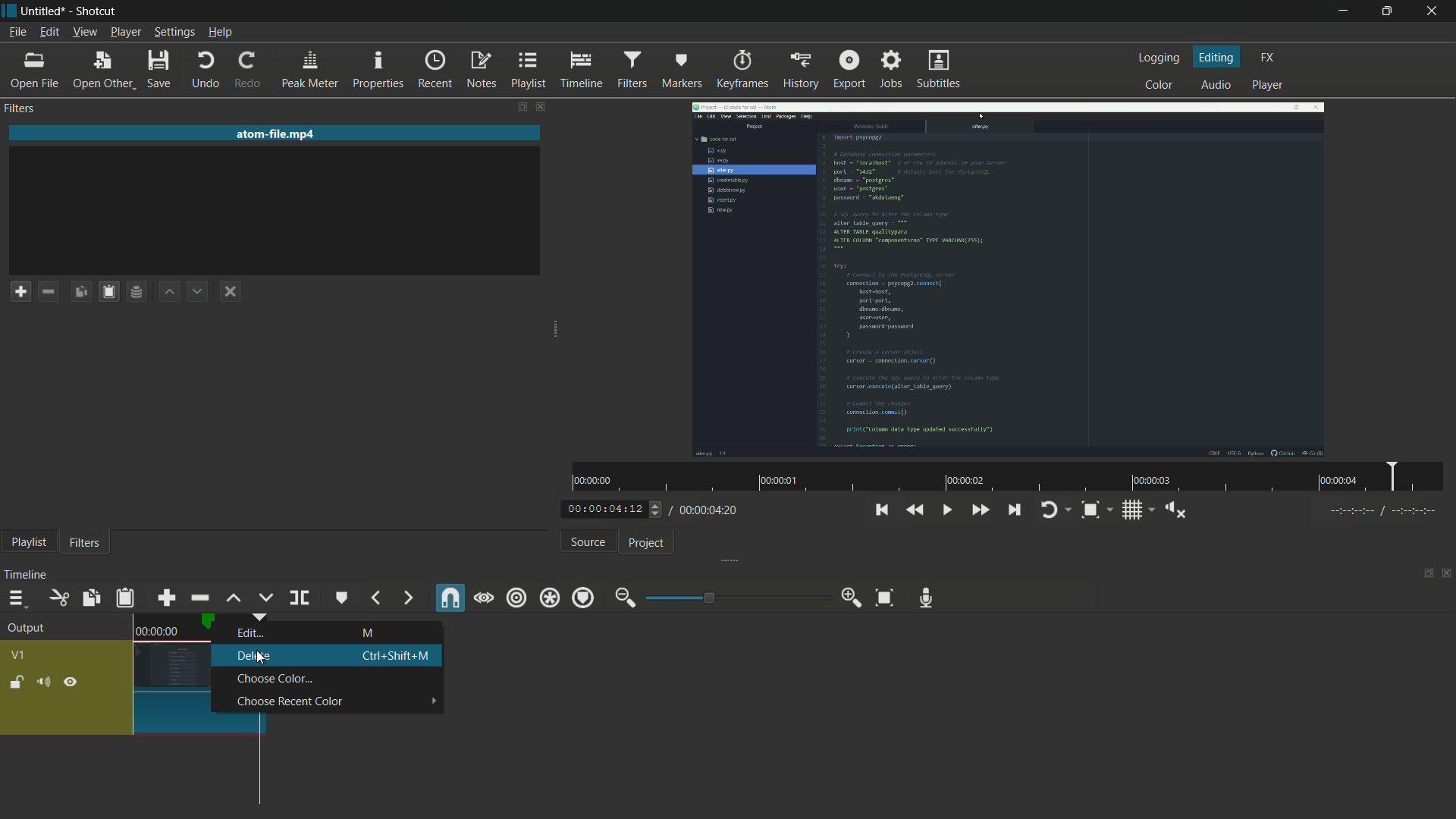 The height and width of the screenshot is (819, 1456). What do you see at coordinates (157, 632) in the screenshot?
I see `time` at bounding box center [157, 632].